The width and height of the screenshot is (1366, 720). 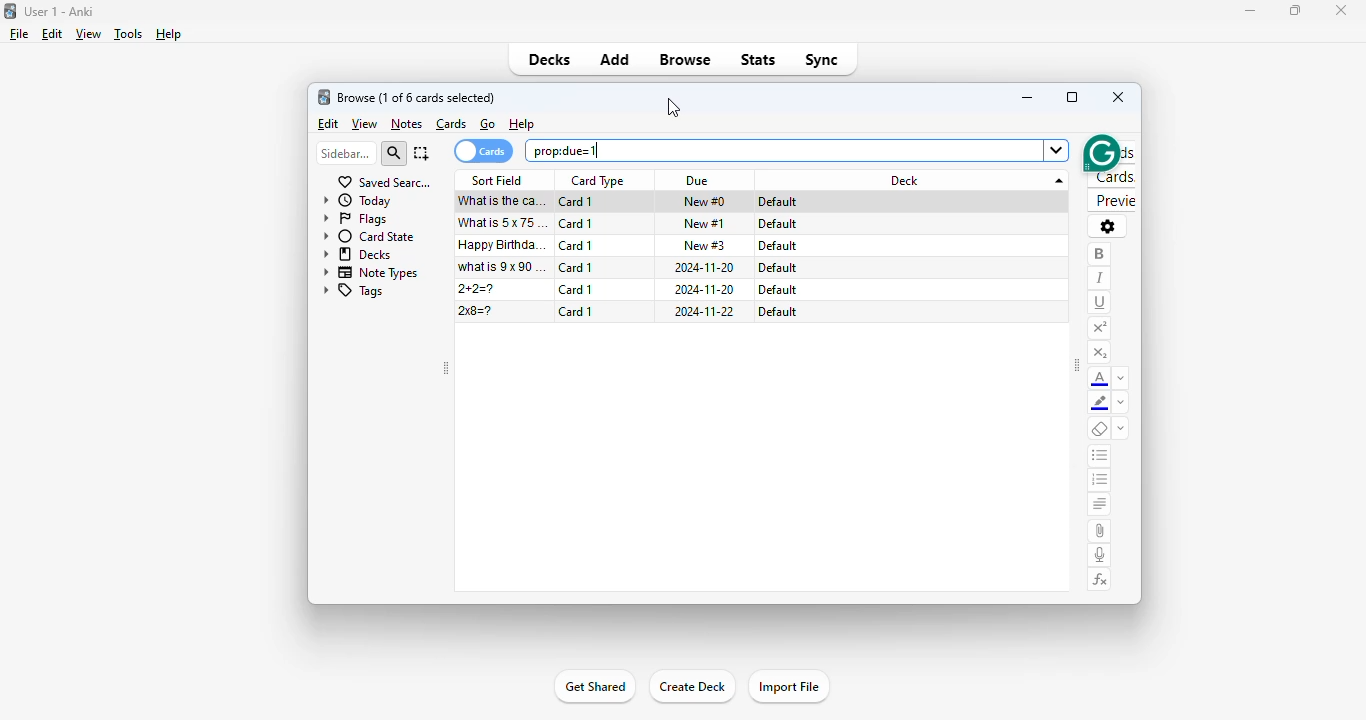 I want to click on view, so click(x=89, y=34).